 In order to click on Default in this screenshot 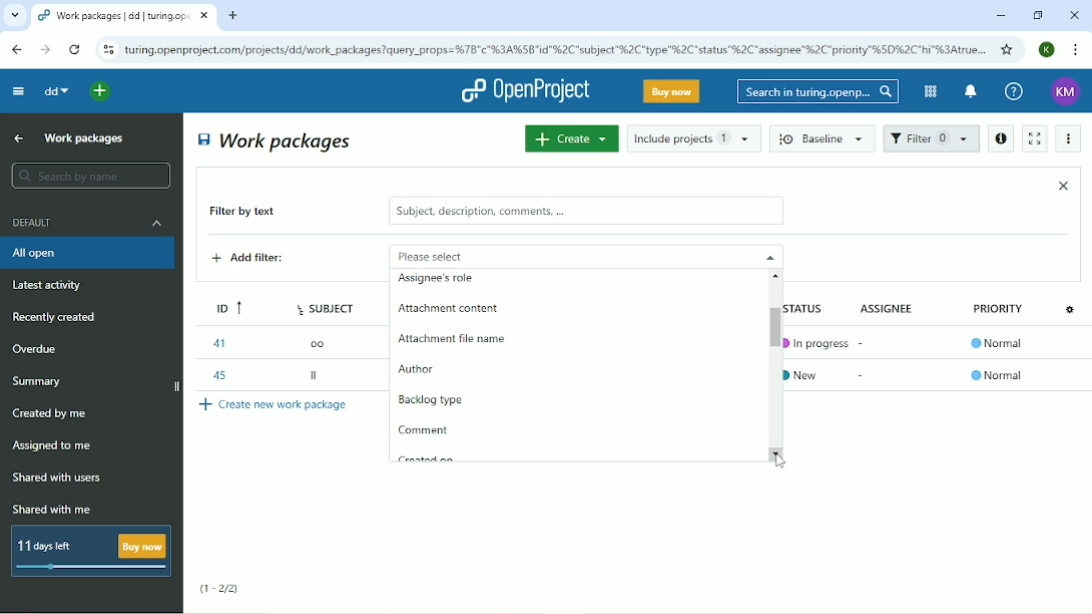, I will do `click(89, 222)`.